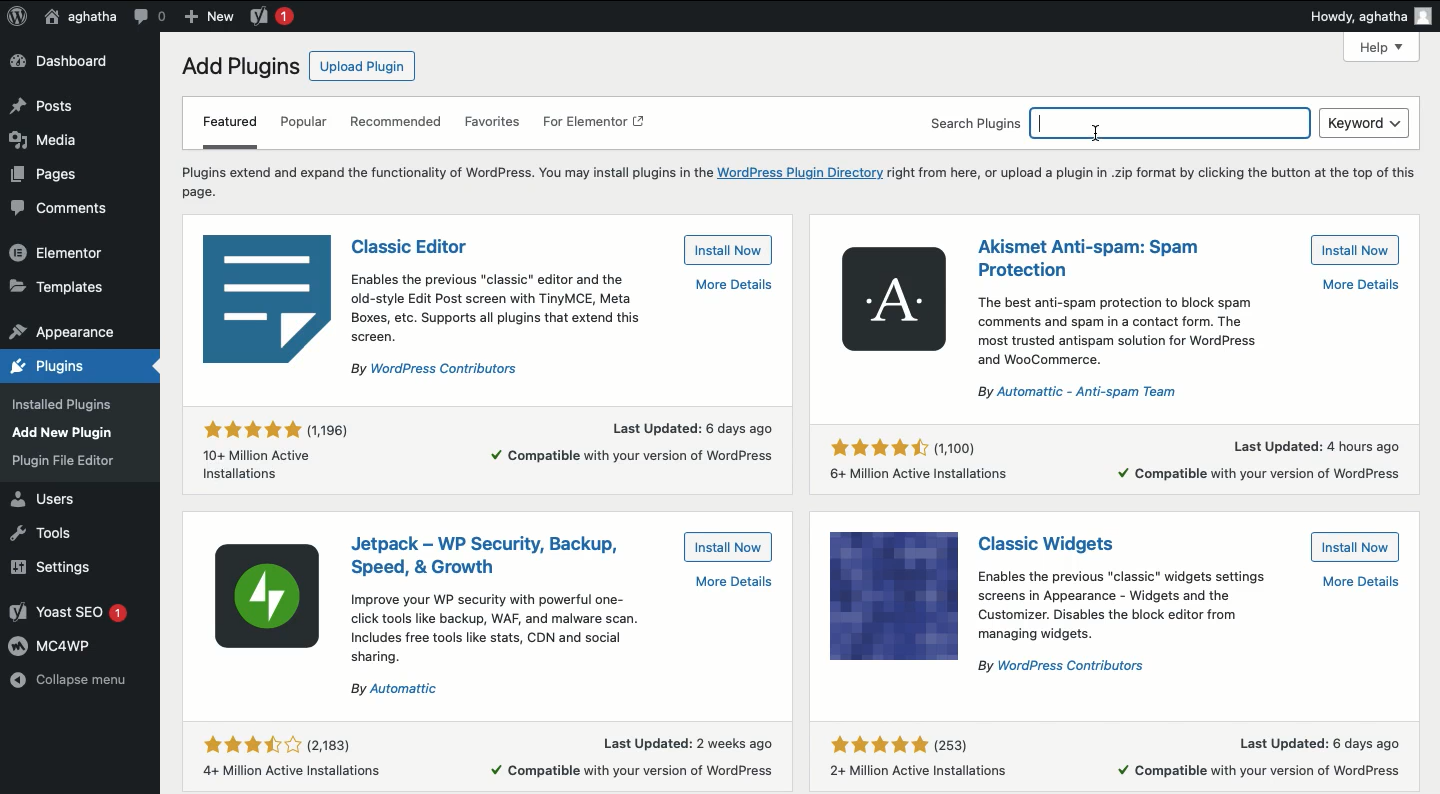  What do you see at coordinates (50, 534) in the screenshot?
I see `Tools` at bounding box center [50, 534].